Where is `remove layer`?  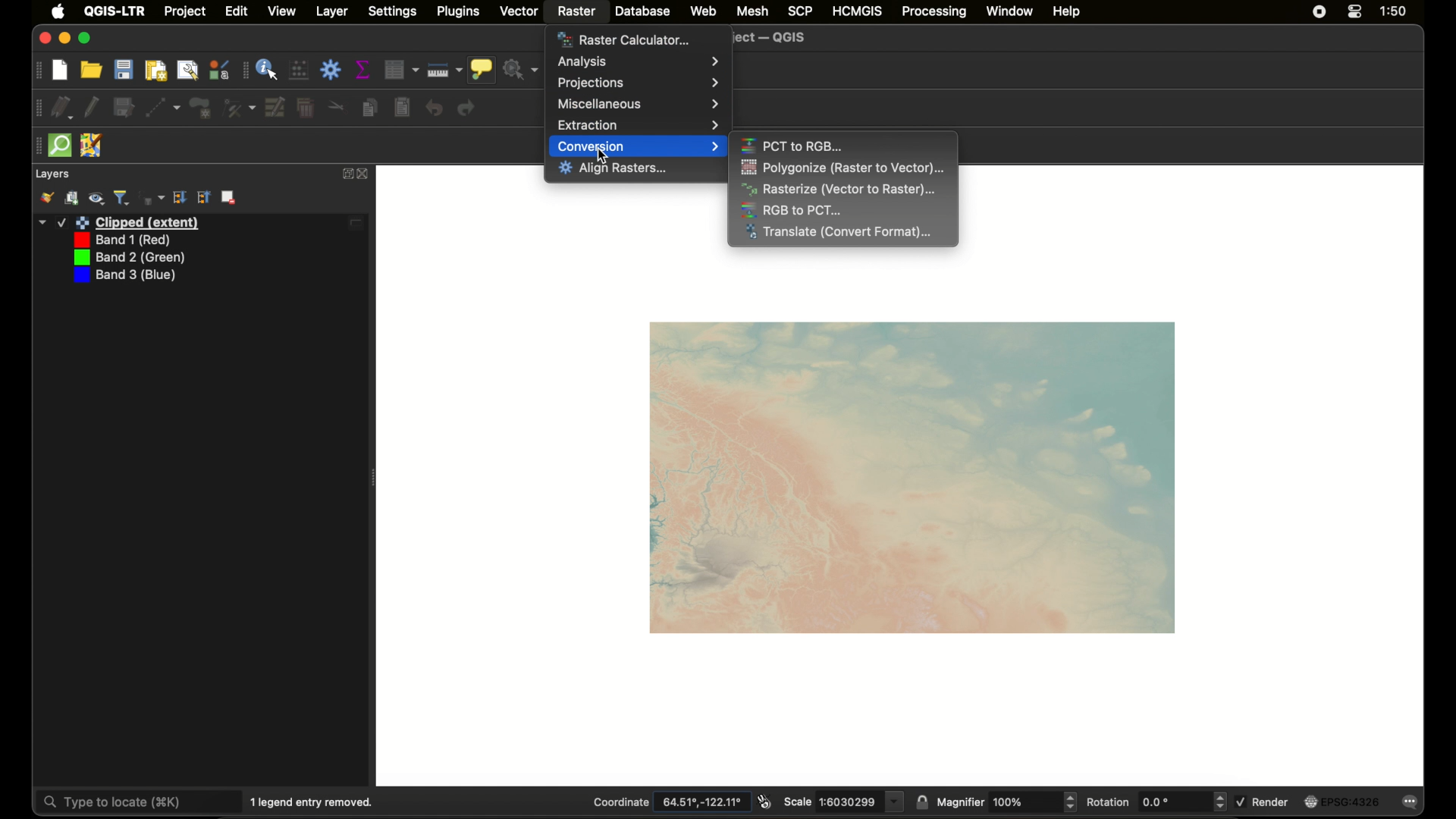
remove layer is located at coordinates (229, 197).